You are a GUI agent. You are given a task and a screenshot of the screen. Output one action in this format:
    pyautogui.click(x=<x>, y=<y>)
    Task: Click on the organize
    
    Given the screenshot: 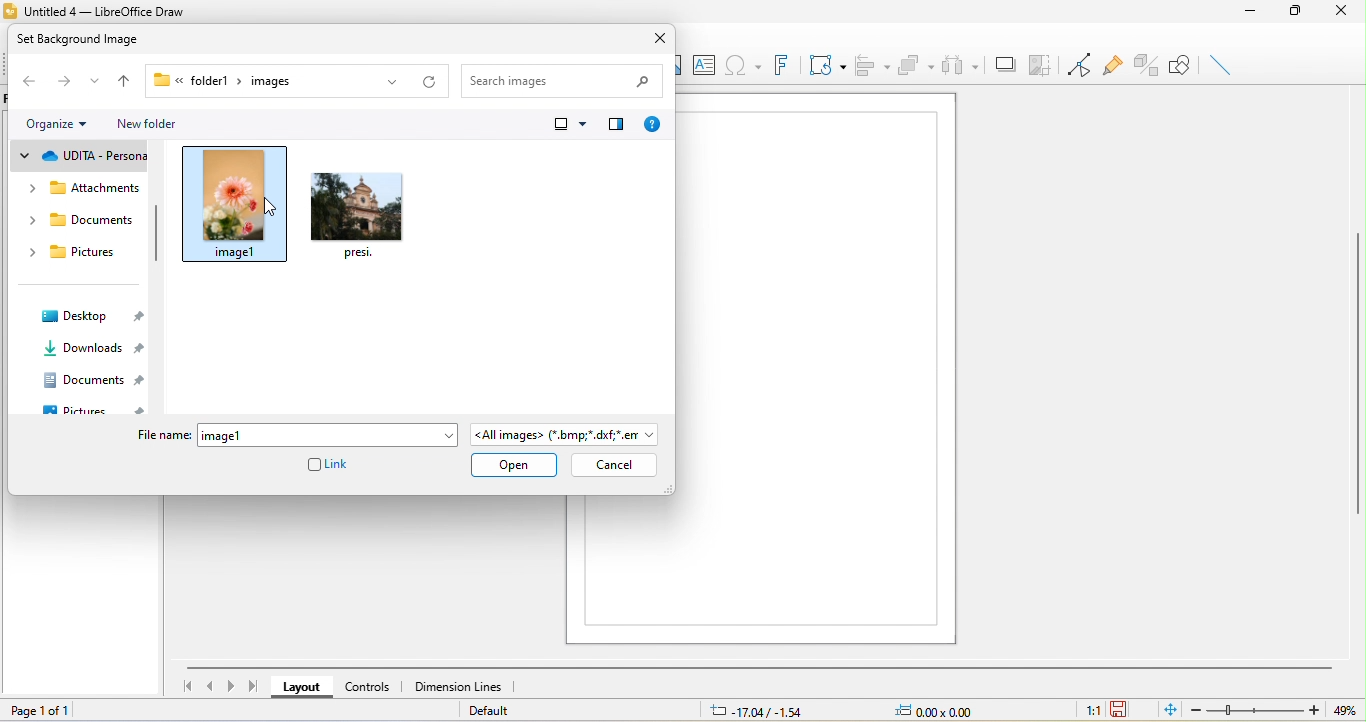 What is the action you would take?
    pyautogui.click(x=60, y=128)
    